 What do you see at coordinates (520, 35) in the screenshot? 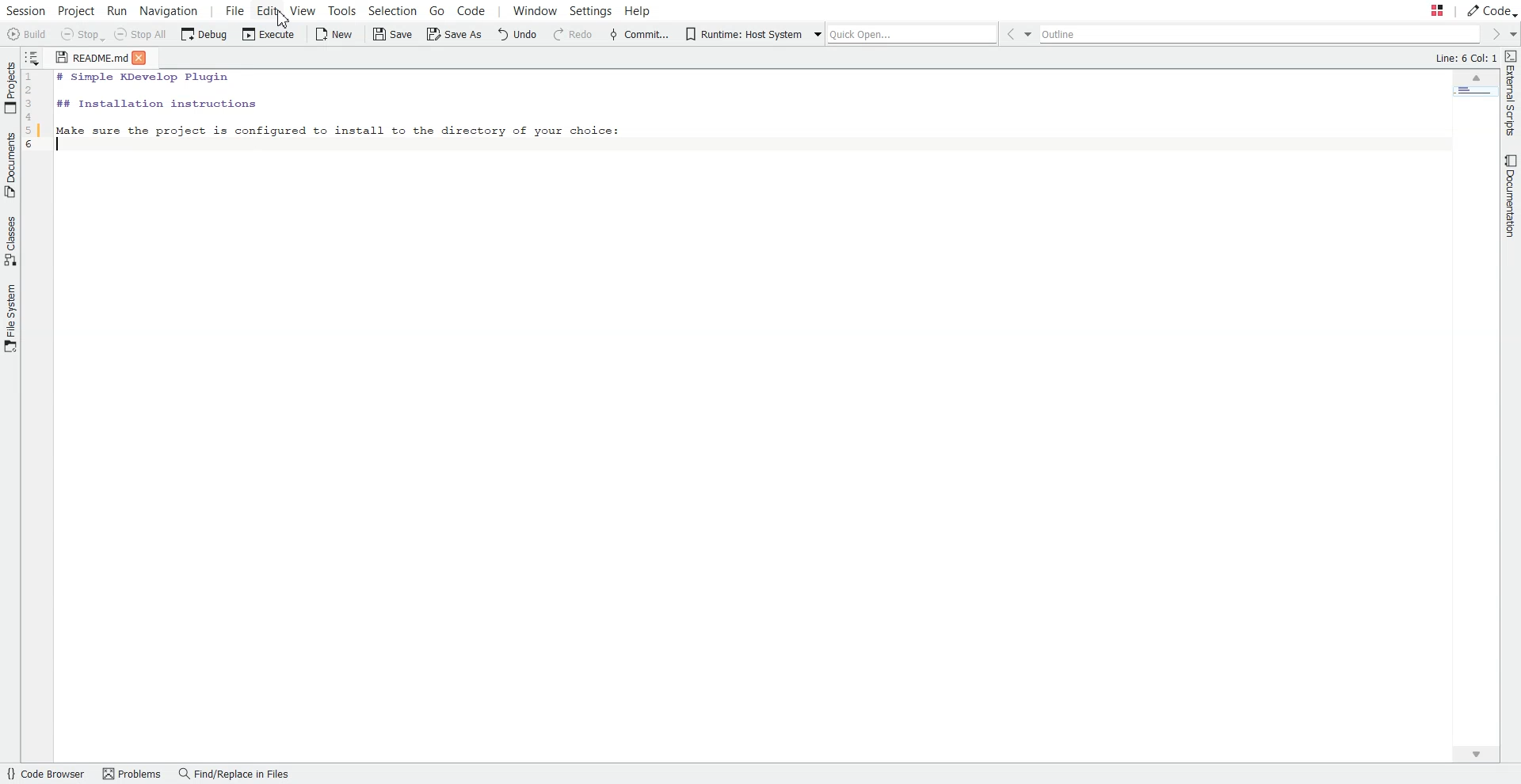
I see `Undo` at bounding box center [520, 35].